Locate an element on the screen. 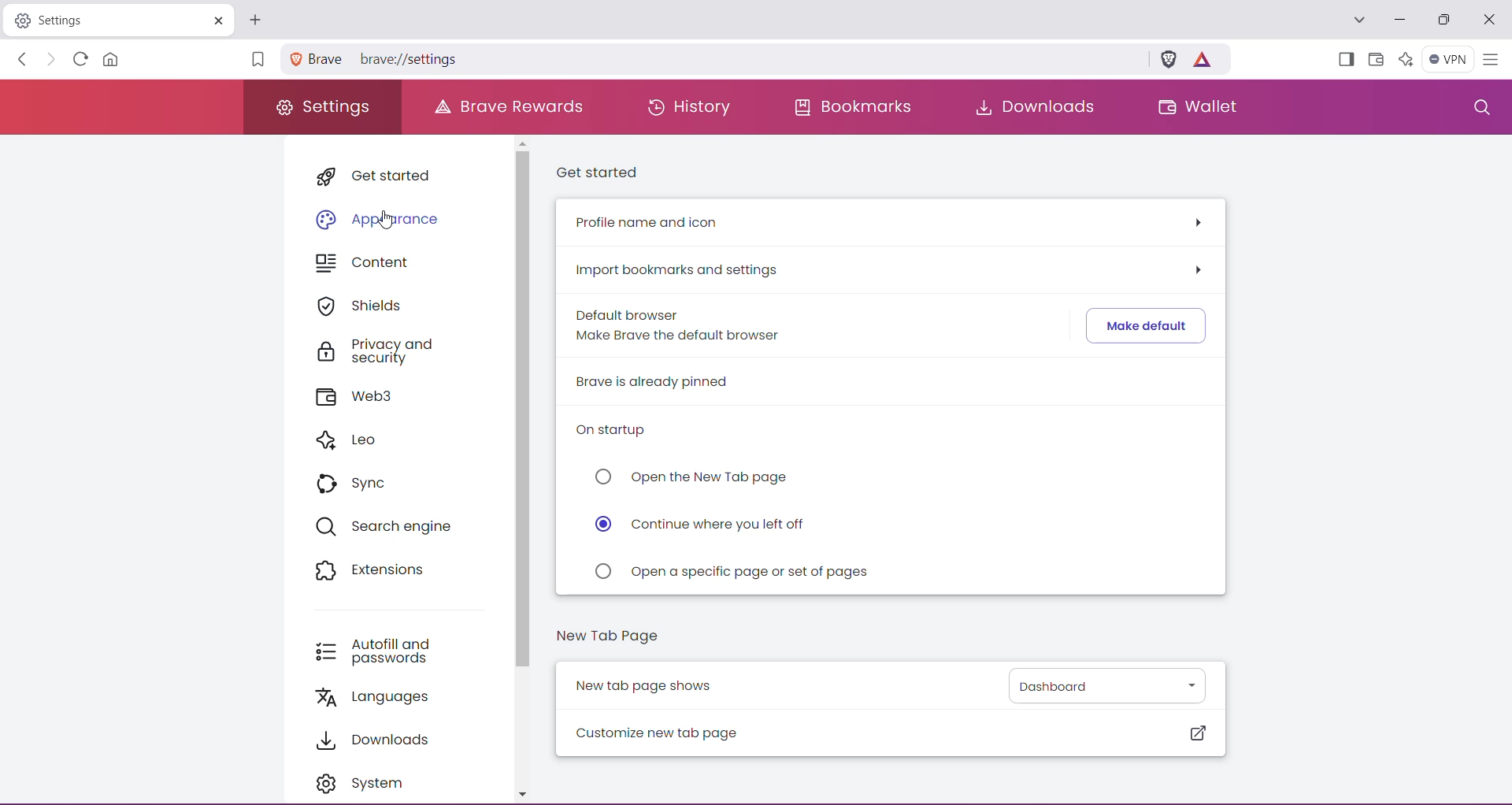 Image resolution: width=1512 pixels, height=805 pixels. Privacy and security is located at coordinates (384, 352).